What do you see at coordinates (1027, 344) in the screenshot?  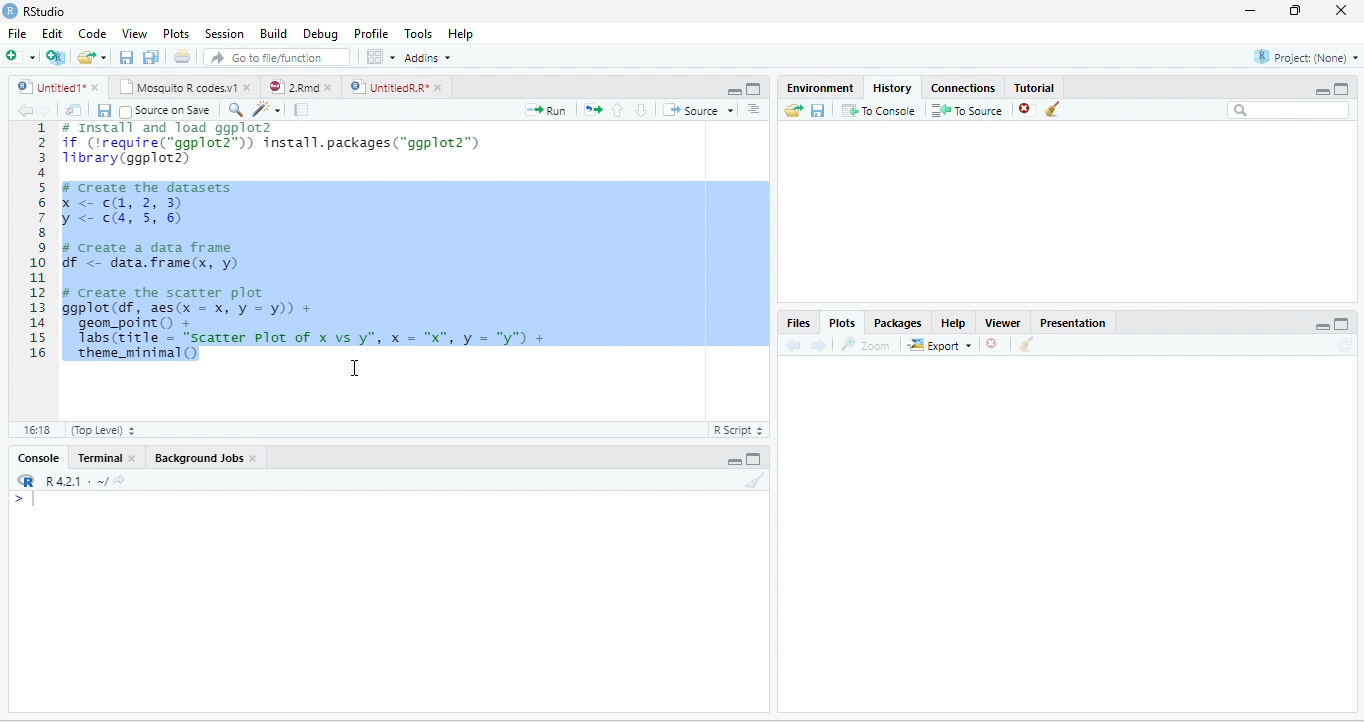 I see `Clear all plots` at bounding box center [1027, 344].